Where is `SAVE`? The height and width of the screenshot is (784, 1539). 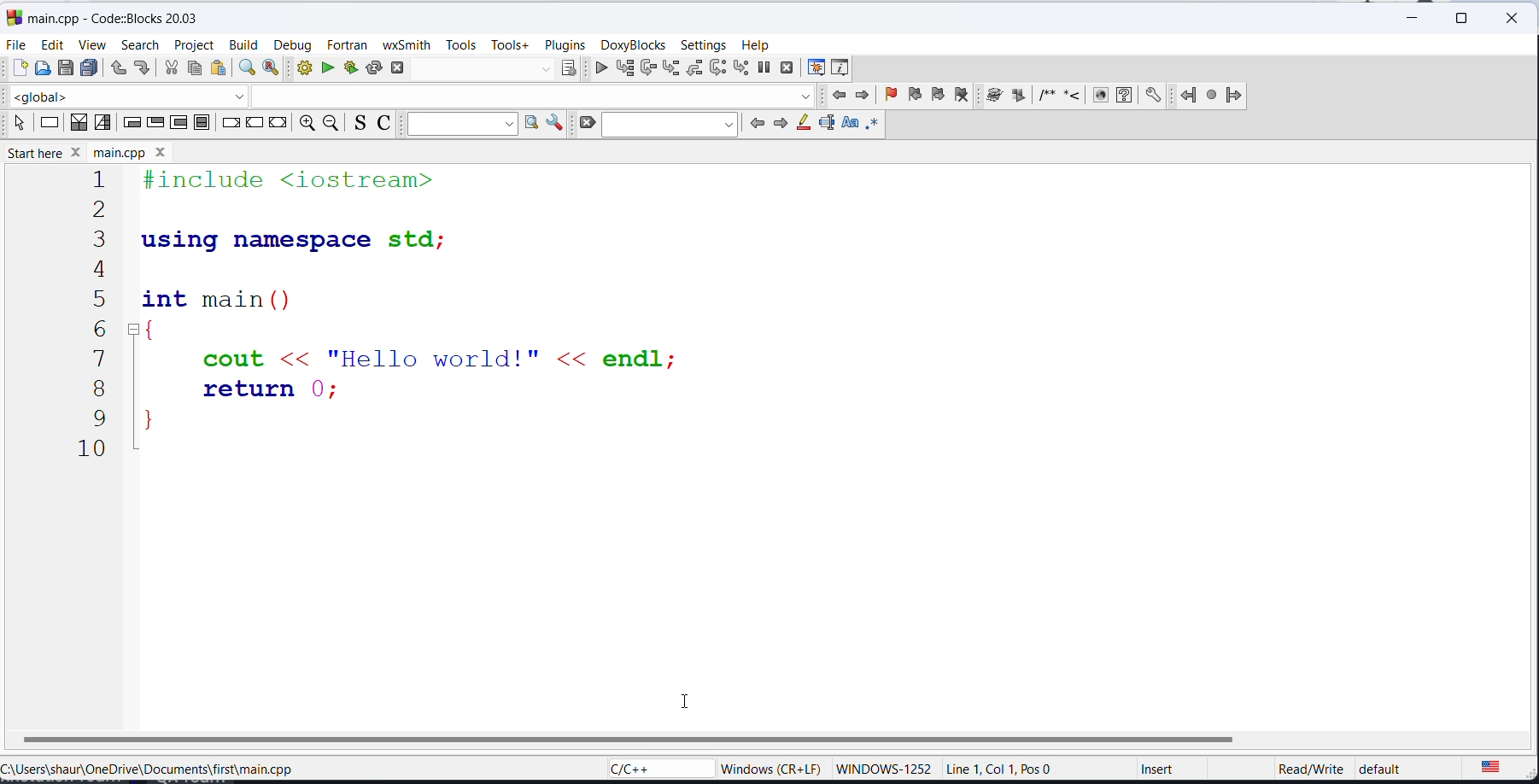 SAVE is located at coordinates (65, 69).